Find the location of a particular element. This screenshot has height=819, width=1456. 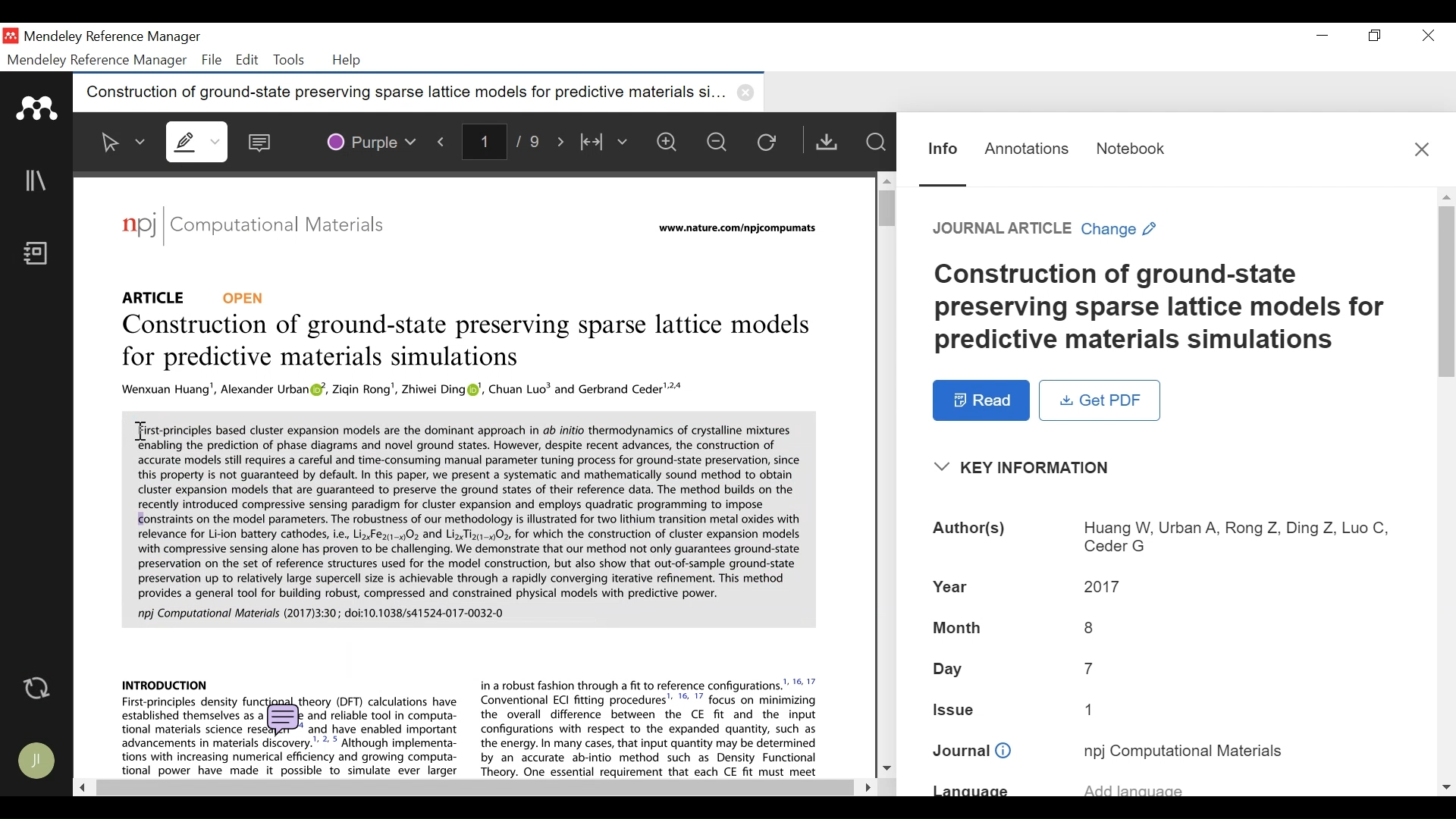

close is located at coordinates (748, 93).